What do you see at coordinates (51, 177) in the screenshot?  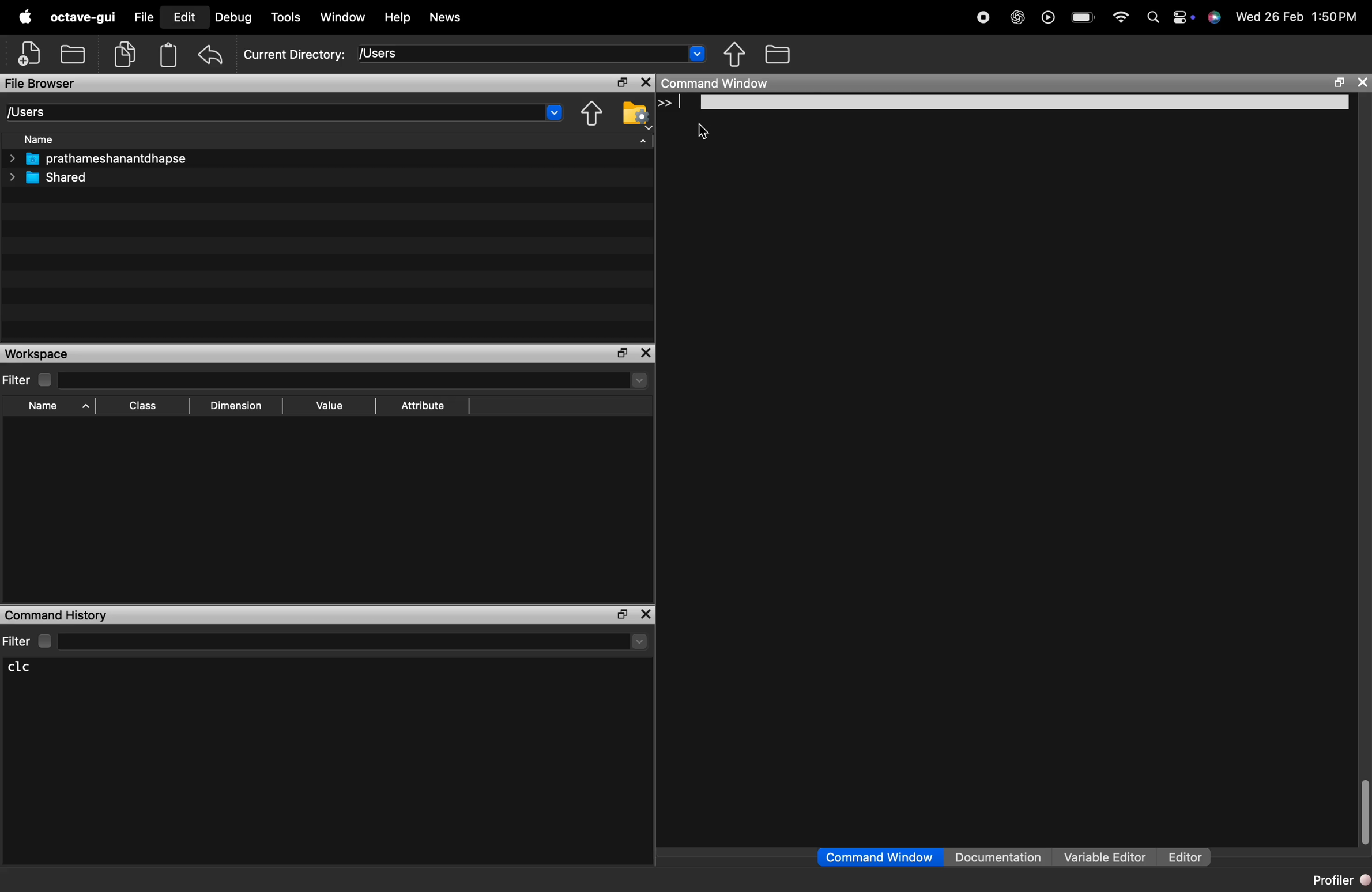 I see `Shared` at bounding box center [51, 177].